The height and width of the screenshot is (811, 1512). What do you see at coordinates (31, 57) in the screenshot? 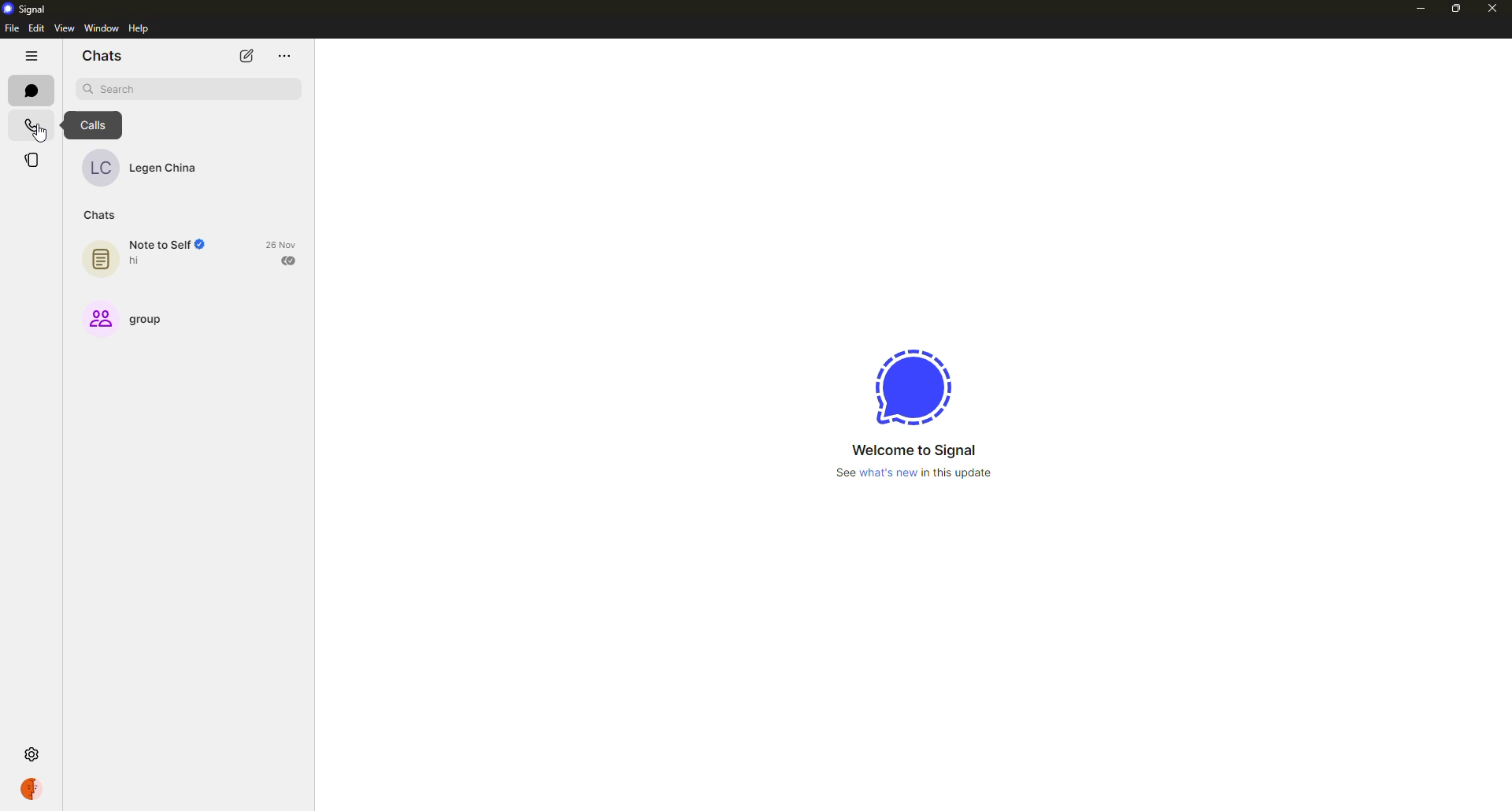
I see `hide tabs` at bounding box center [31, 57].